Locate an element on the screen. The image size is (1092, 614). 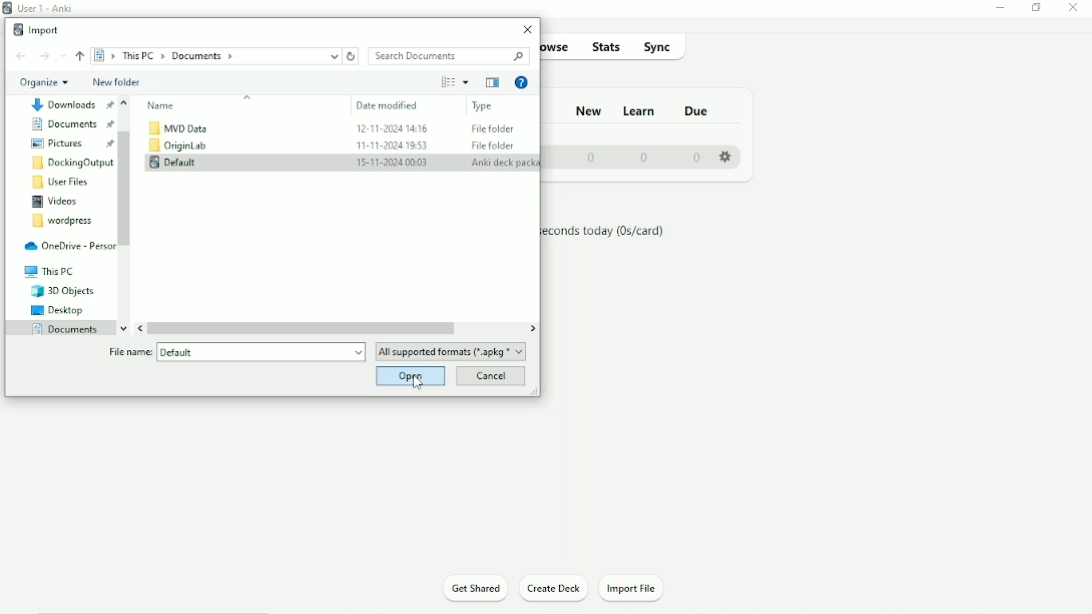
Up is located at coordinates (127, 102).